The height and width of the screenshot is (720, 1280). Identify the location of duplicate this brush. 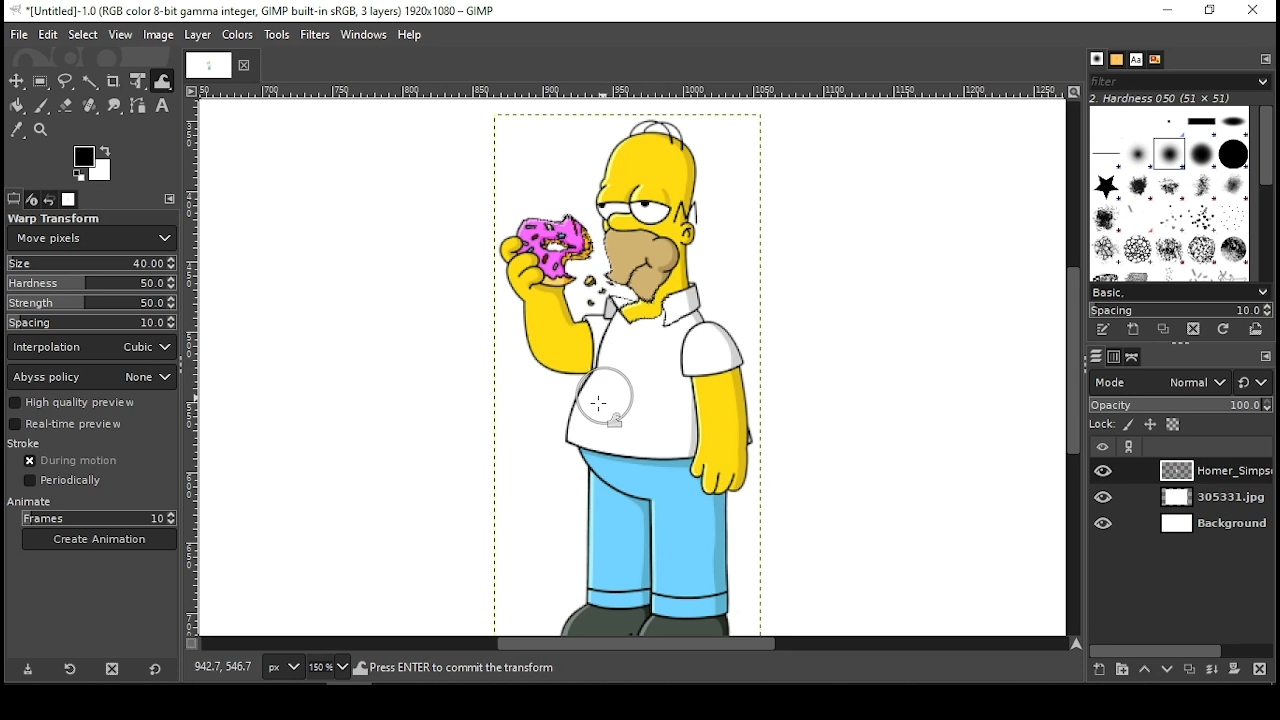
(1164, 330).